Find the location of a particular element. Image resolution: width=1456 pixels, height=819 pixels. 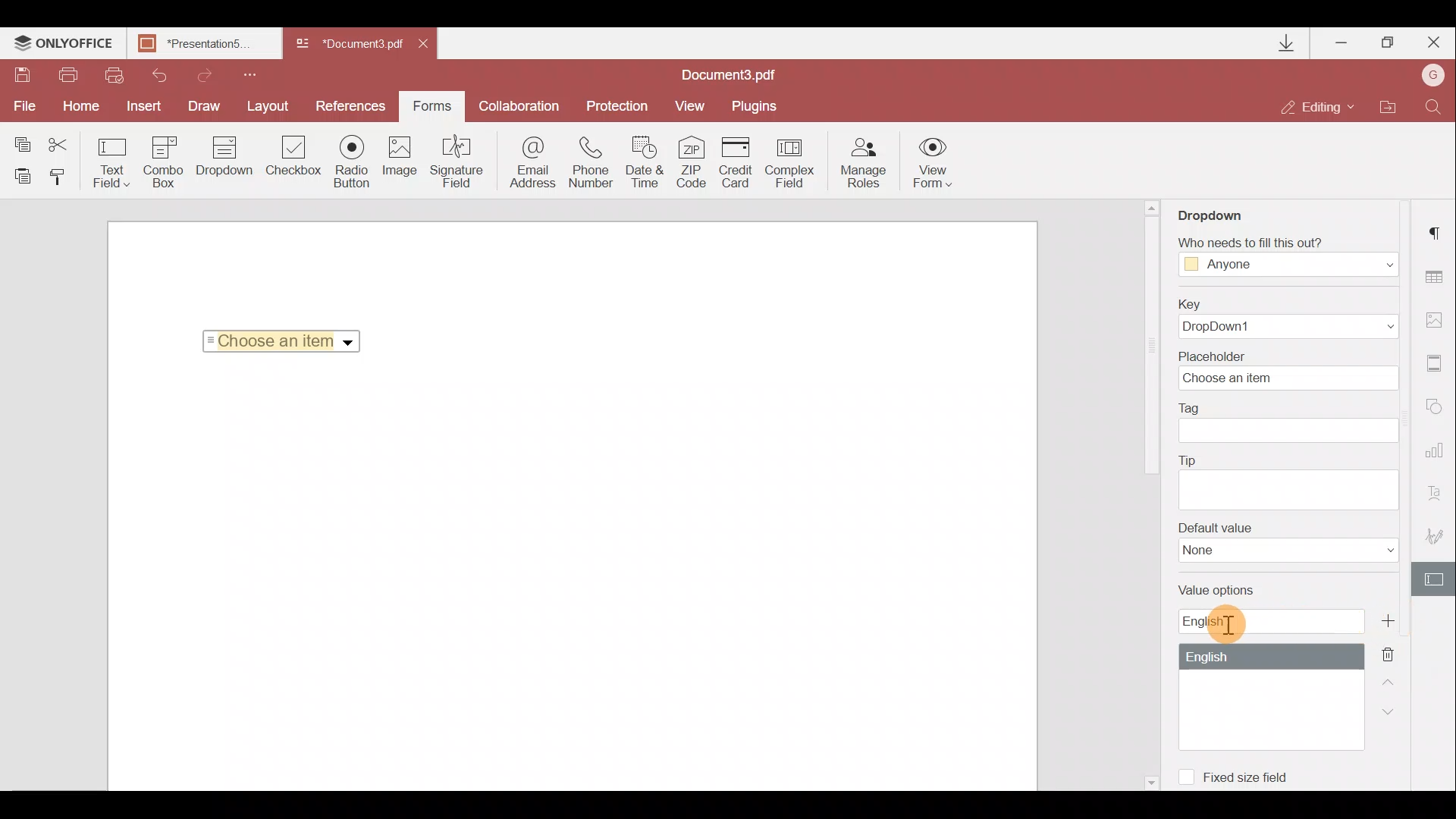

ONLYOFFICE is located at coordinates (64, 45).